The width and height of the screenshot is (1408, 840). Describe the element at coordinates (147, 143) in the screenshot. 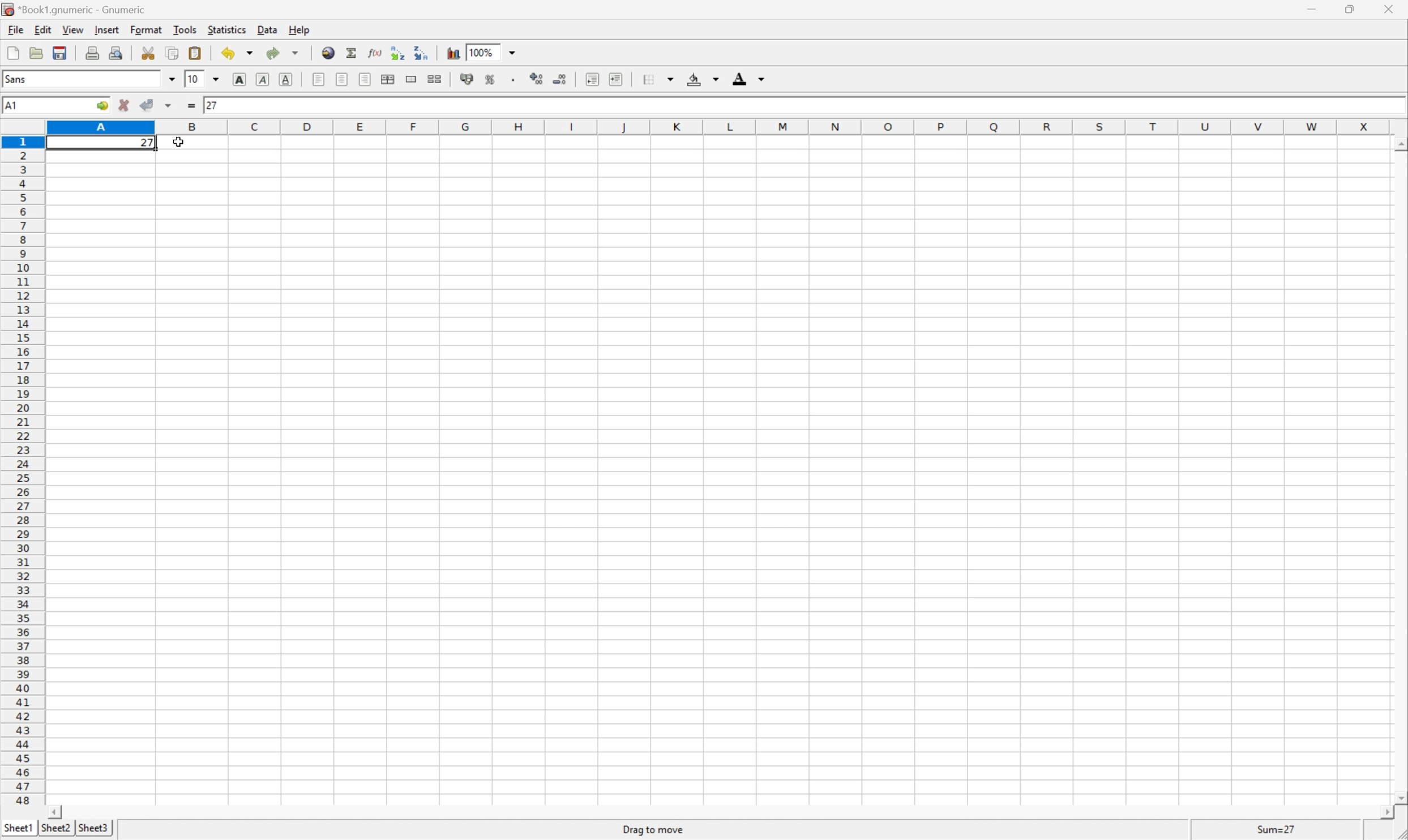

I see `27` at that location.